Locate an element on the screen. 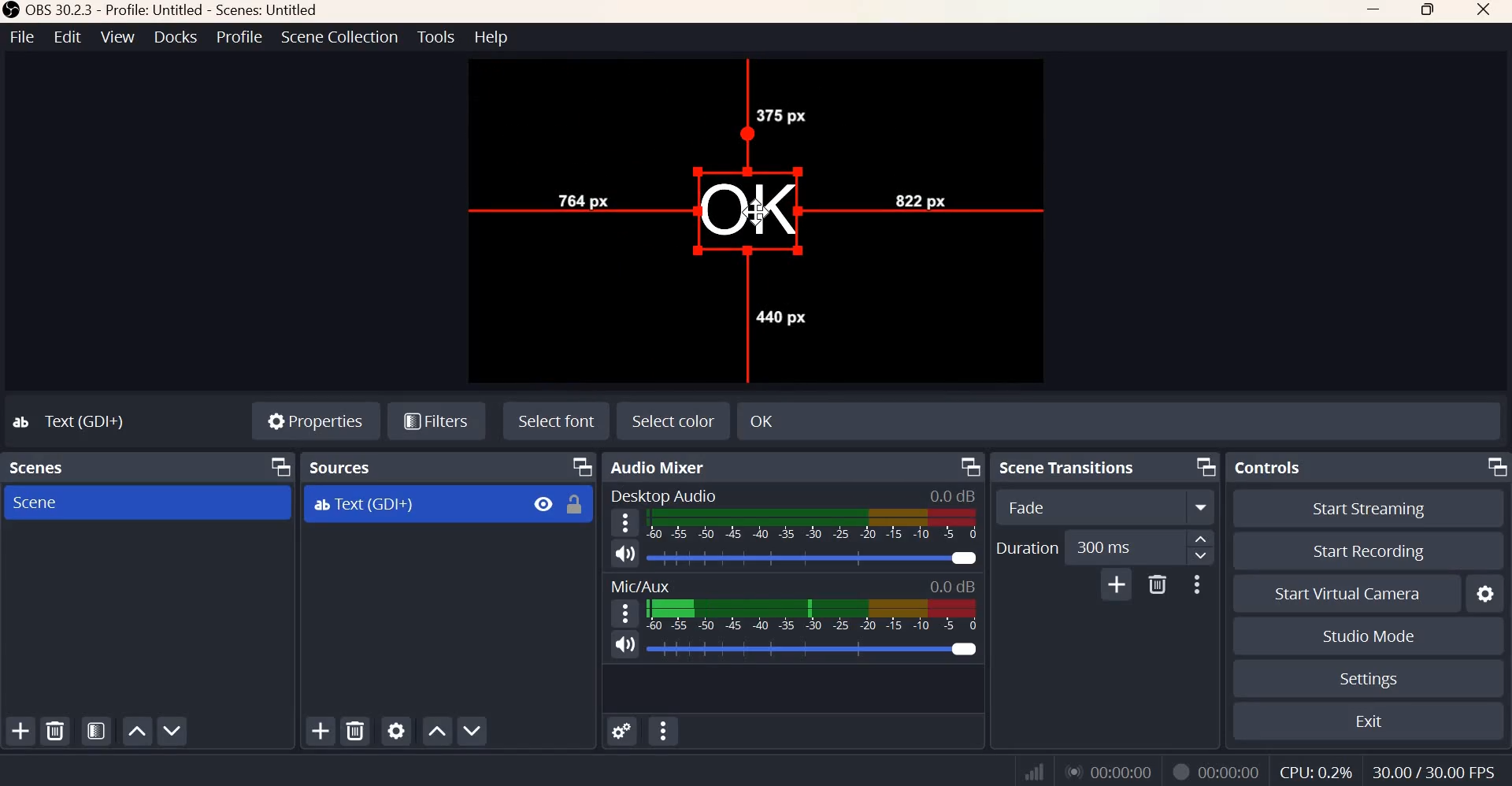  Sources is located at coordinates (343, 467).